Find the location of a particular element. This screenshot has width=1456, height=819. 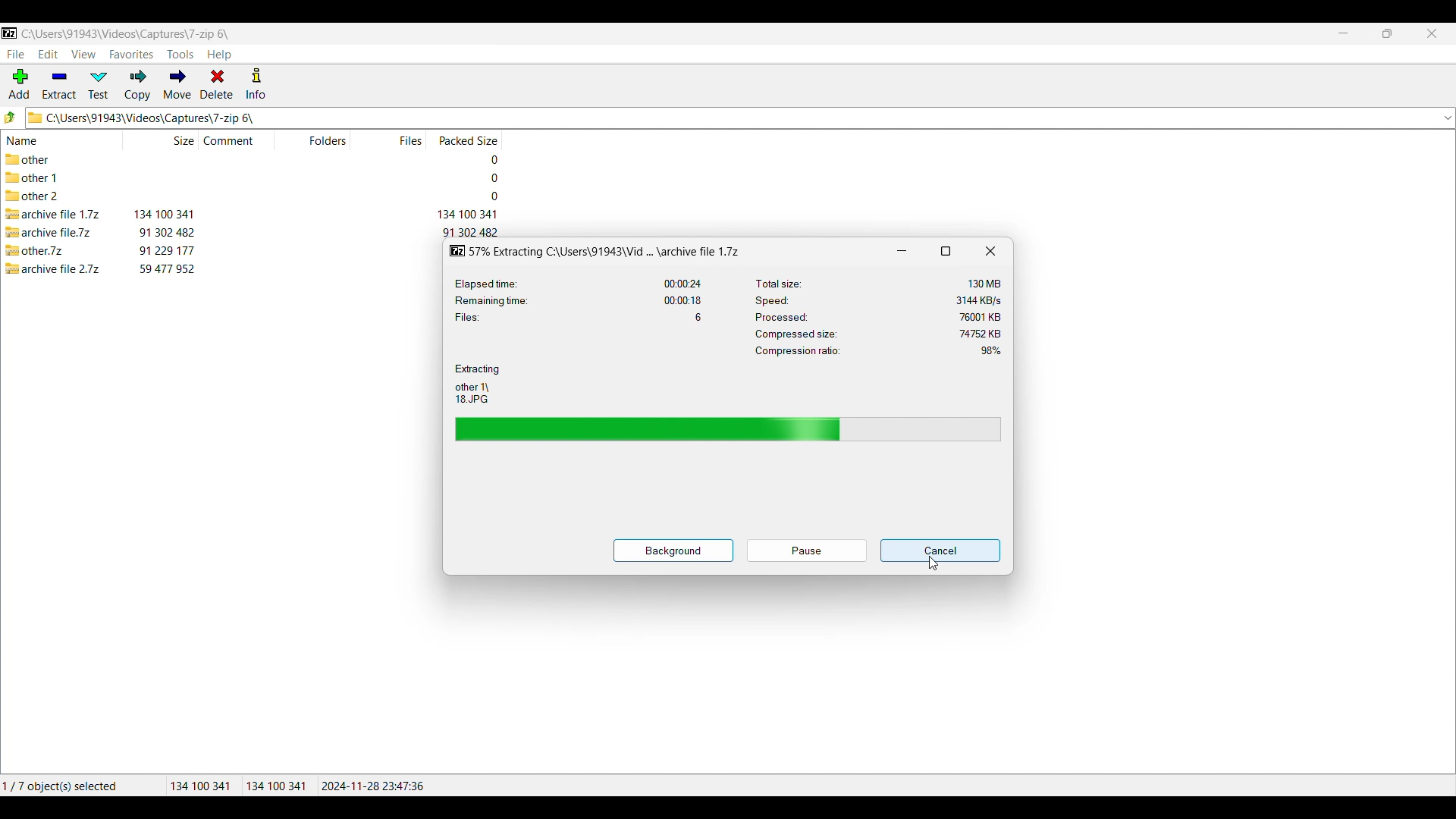

size is located at coordinates (167, 268).